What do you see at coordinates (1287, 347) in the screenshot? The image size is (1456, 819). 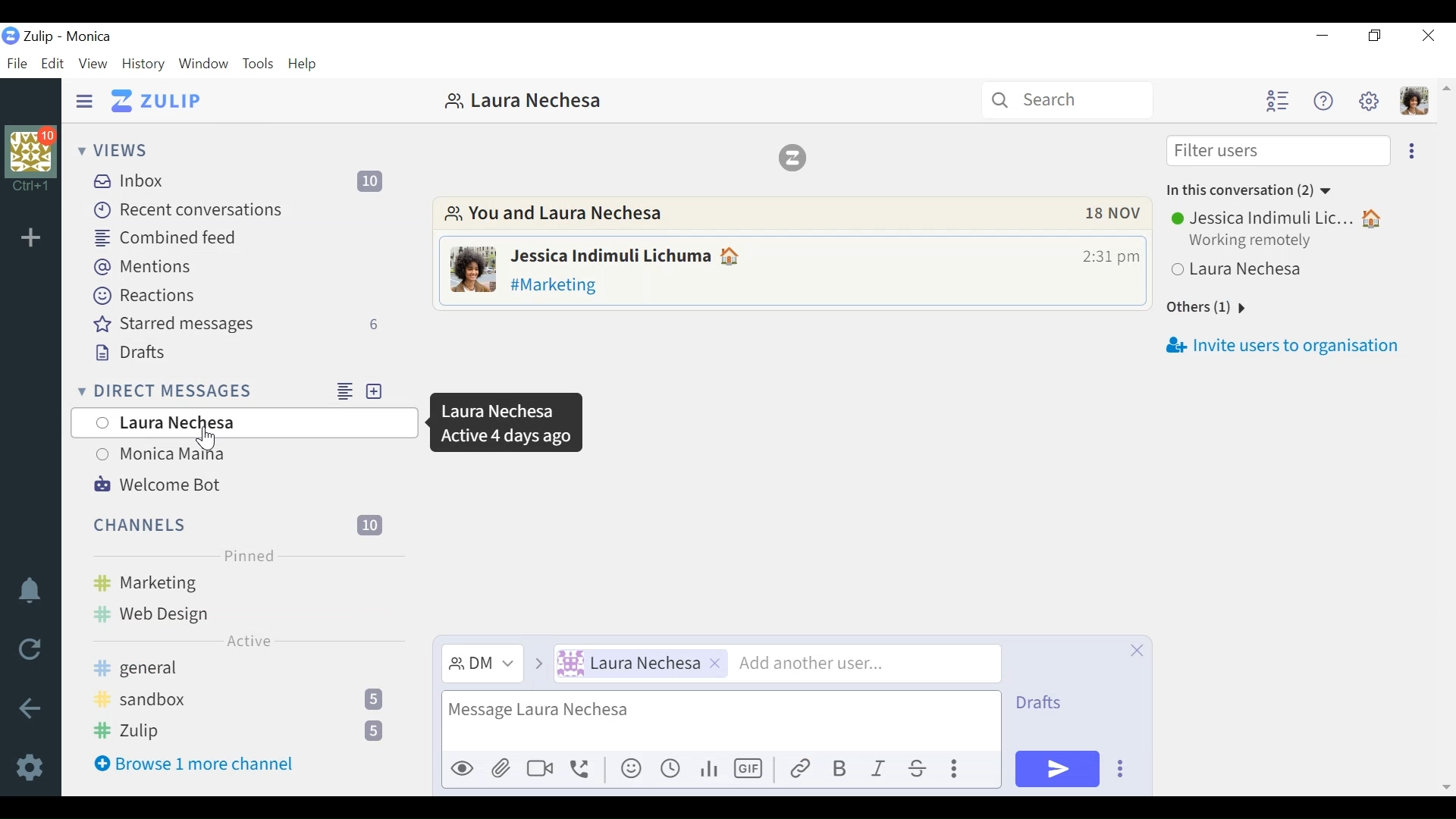 I see `Invite users to organisation` at bounding box center [1287, 347].